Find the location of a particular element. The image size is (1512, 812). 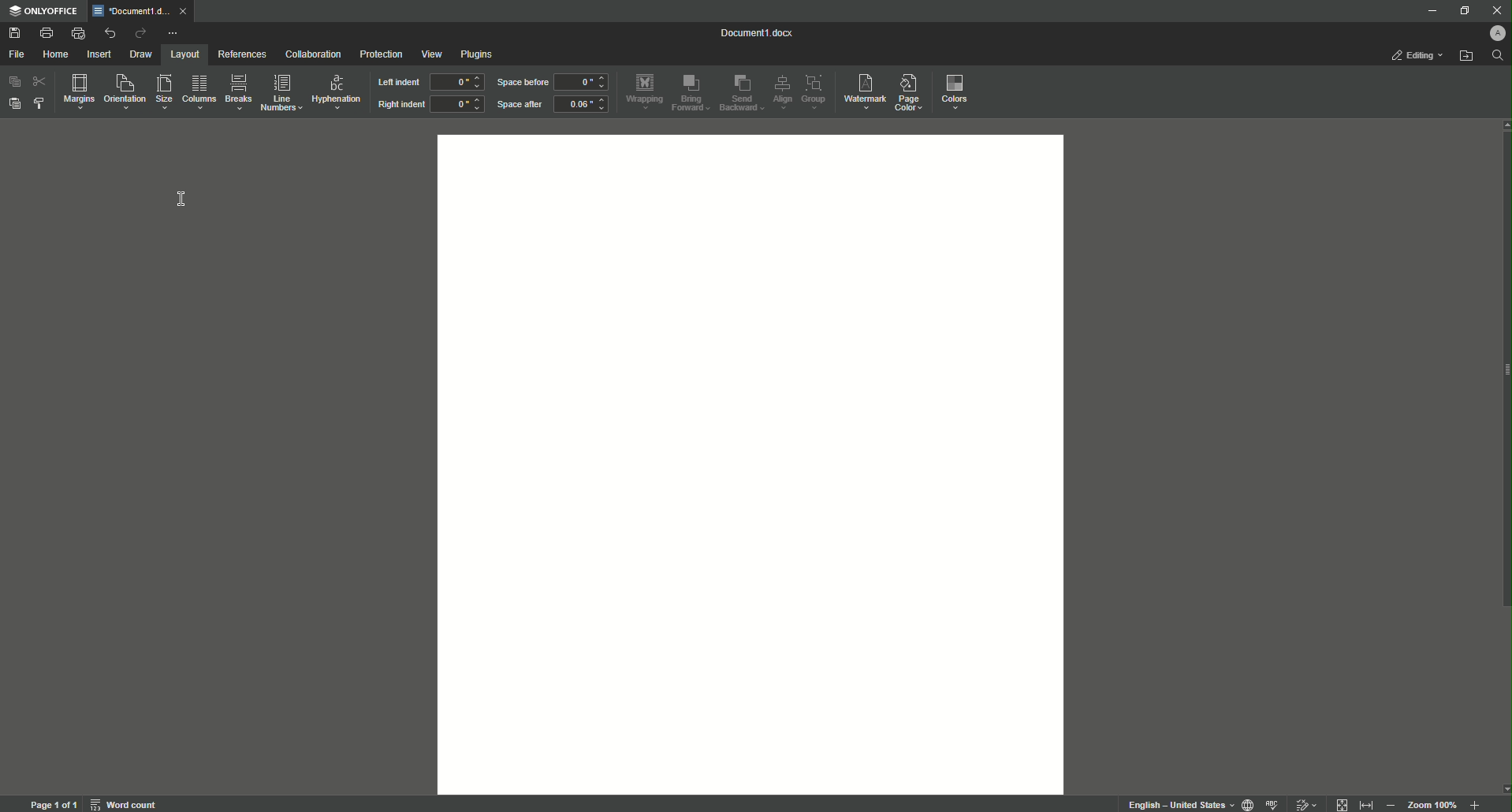

Quick print is located at coordinates (76, 32).